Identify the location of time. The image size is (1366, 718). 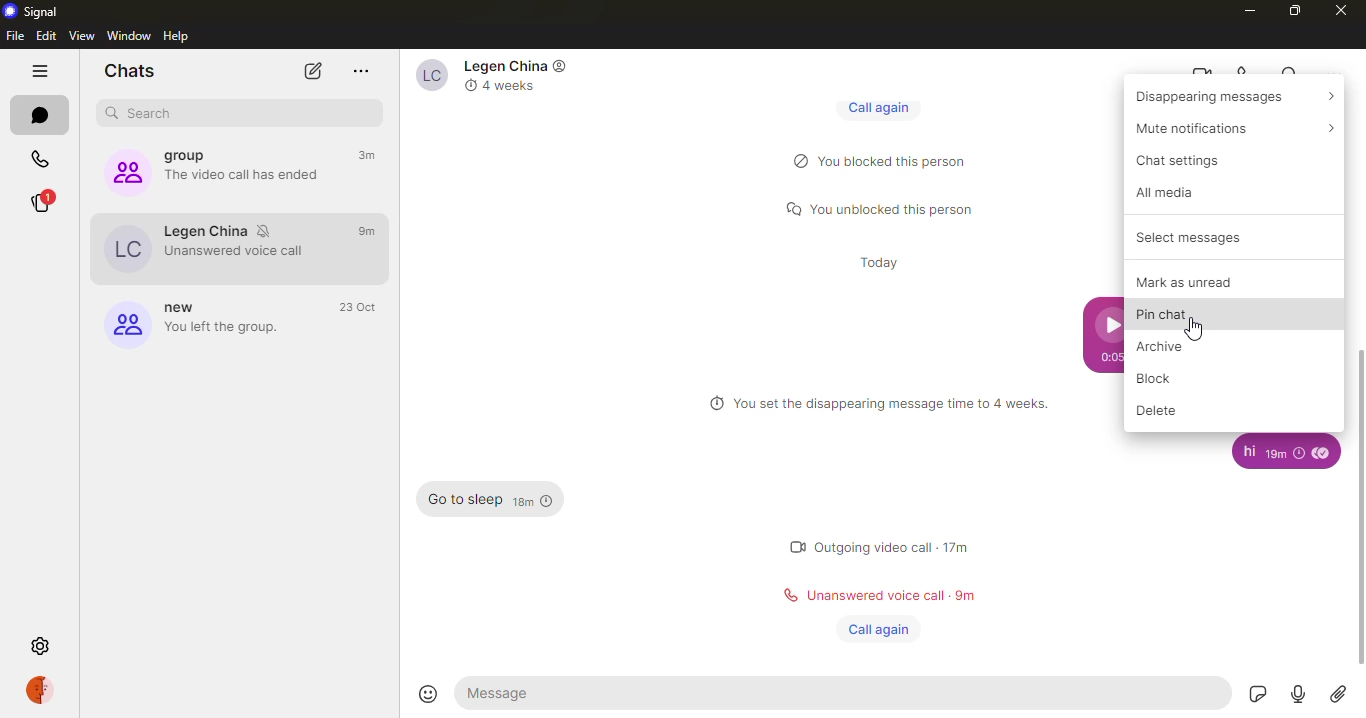
(537, 502).